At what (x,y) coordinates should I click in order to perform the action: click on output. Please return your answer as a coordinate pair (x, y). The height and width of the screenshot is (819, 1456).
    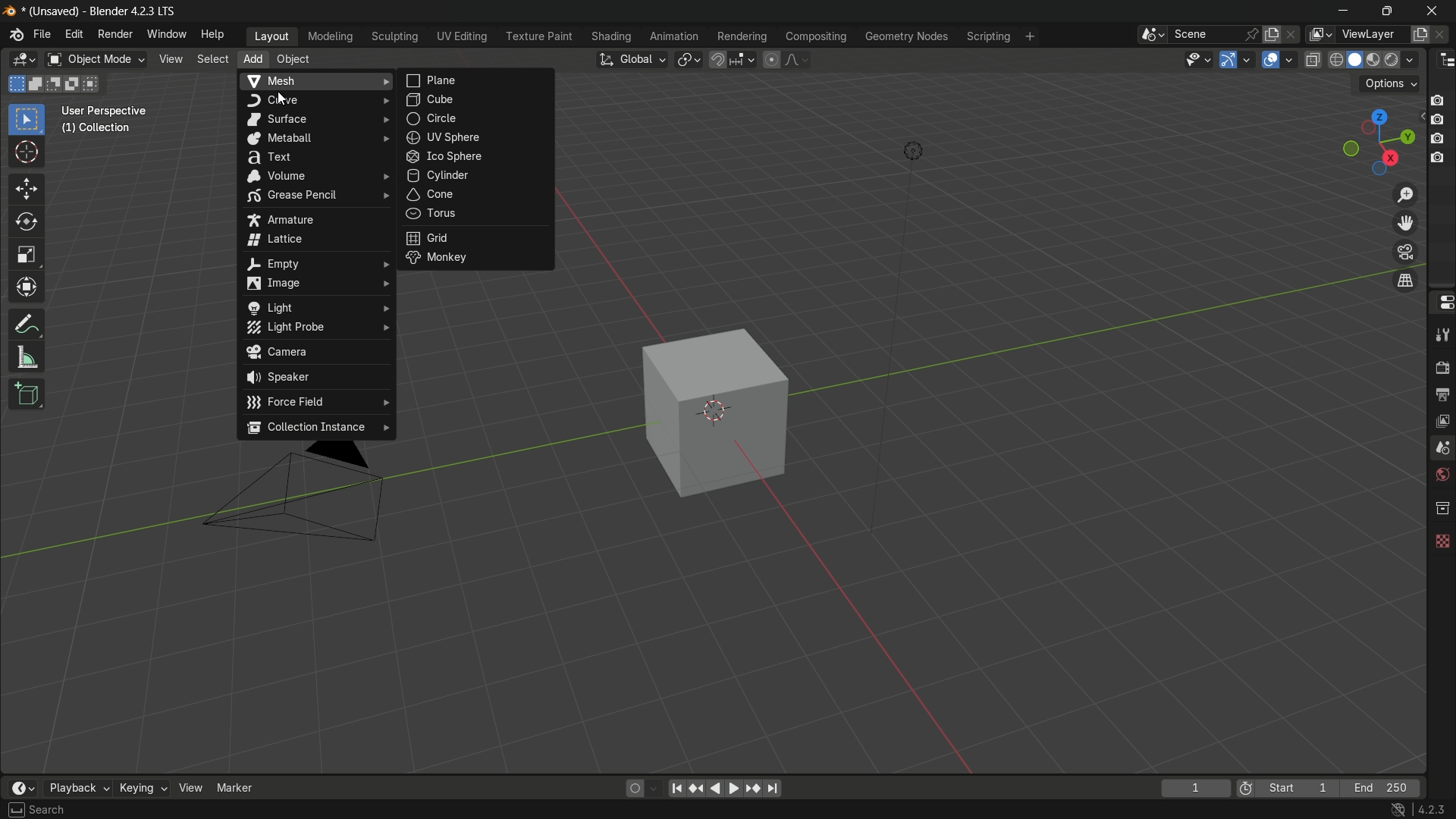
    Looking at the image, I should click on (1442, 396).